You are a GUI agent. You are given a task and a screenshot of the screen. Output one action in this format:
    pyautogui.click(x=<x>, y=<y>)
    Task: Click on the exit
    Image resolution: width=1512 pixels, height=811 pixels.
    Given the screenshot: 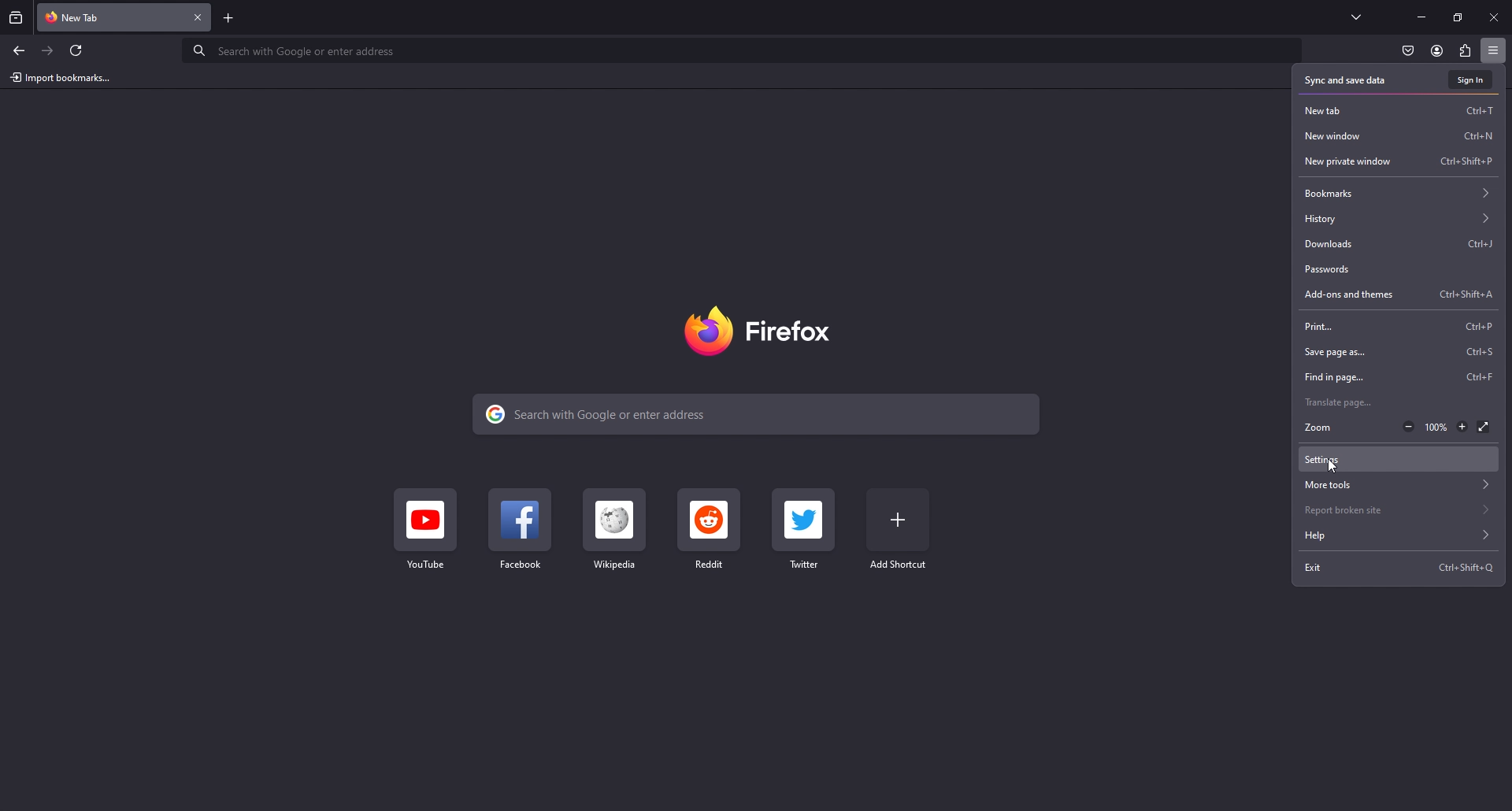 What is the action you would take?
    pyautogui.click(x=1403, y=568)
    